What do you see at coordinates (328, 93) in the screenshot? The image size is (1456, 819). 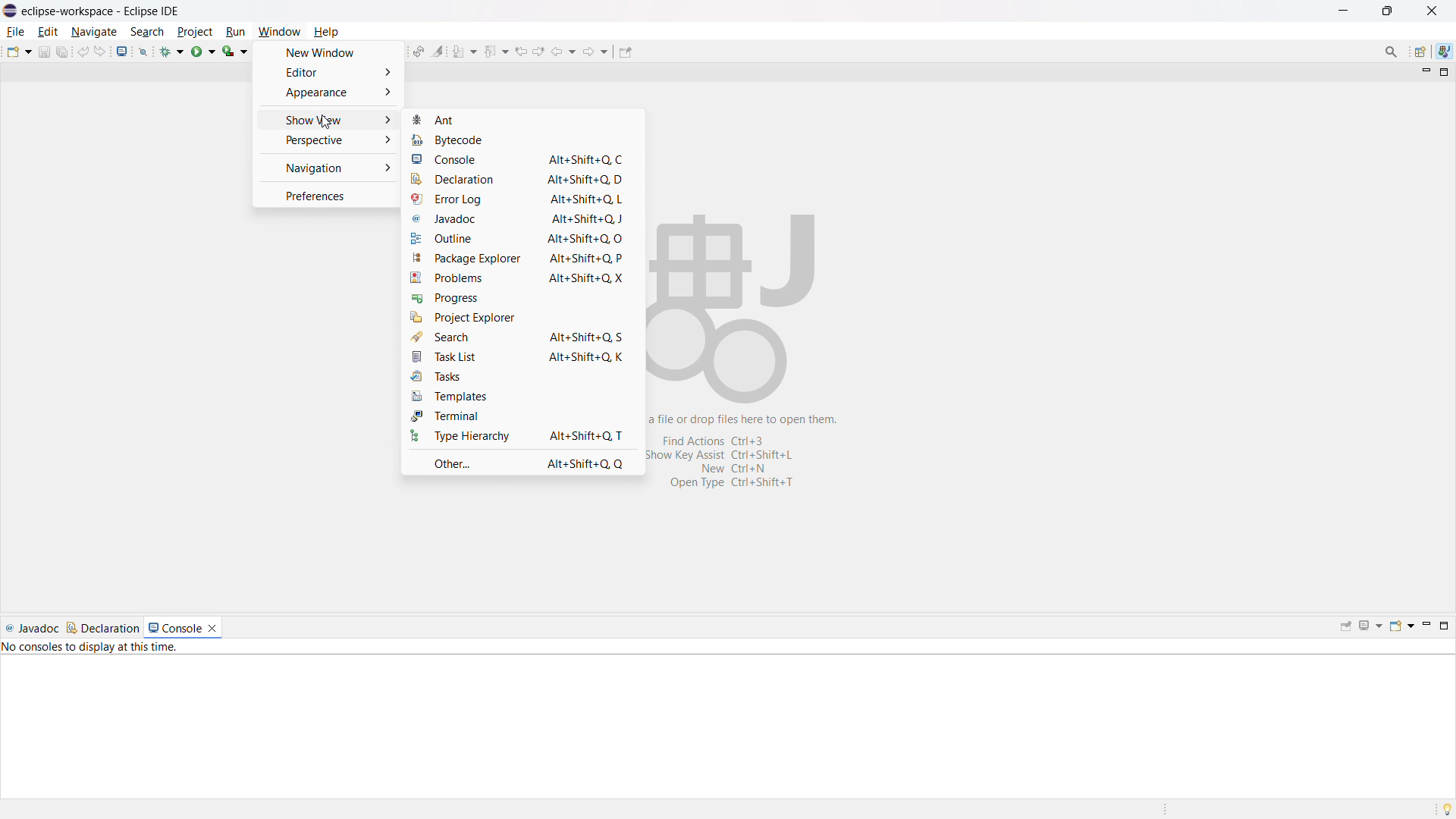 I see `appearance` at bounding box center [328, 93].